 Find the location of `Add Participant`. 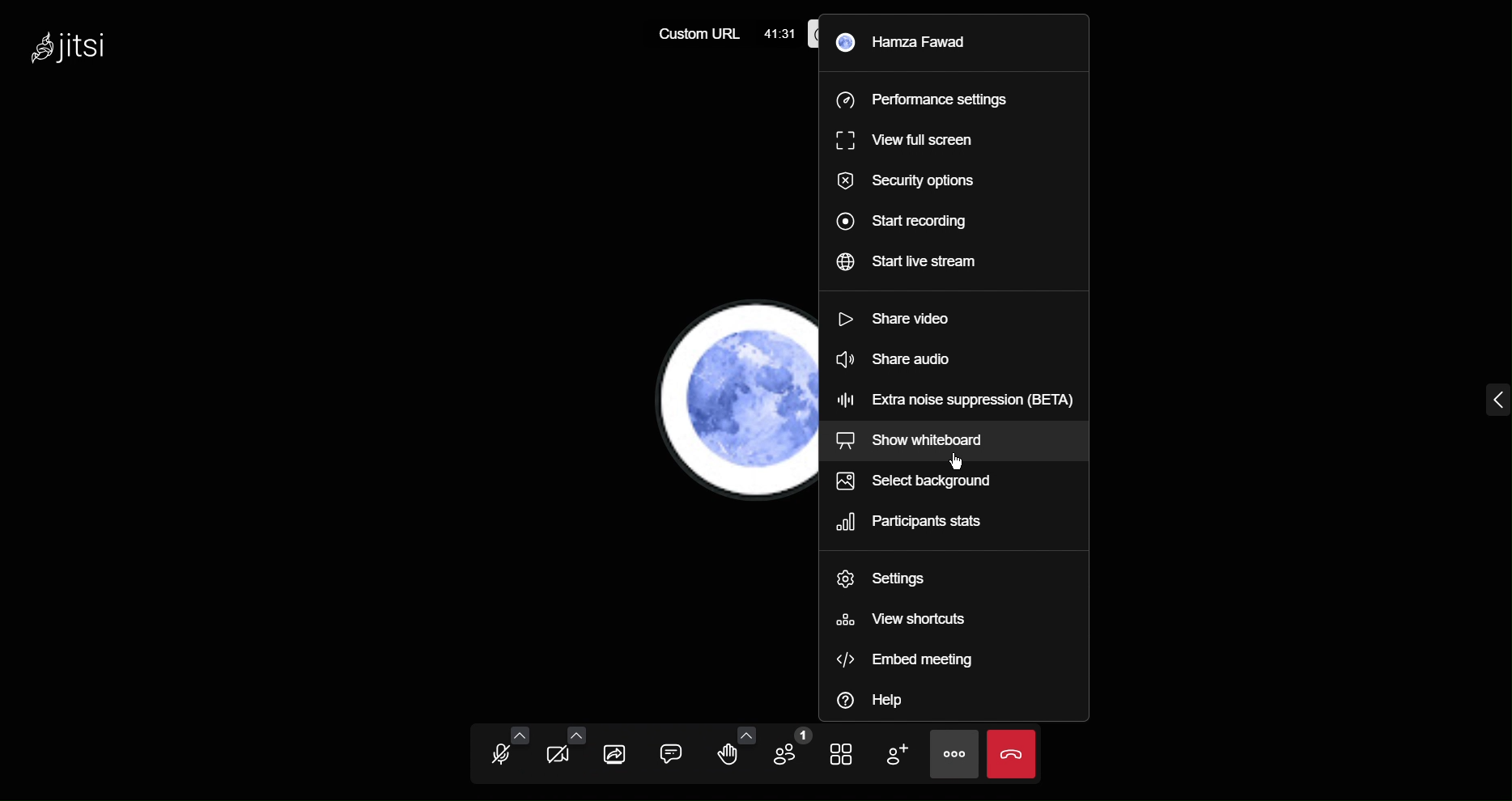

Add Participant is located at coordinates (903, 752).